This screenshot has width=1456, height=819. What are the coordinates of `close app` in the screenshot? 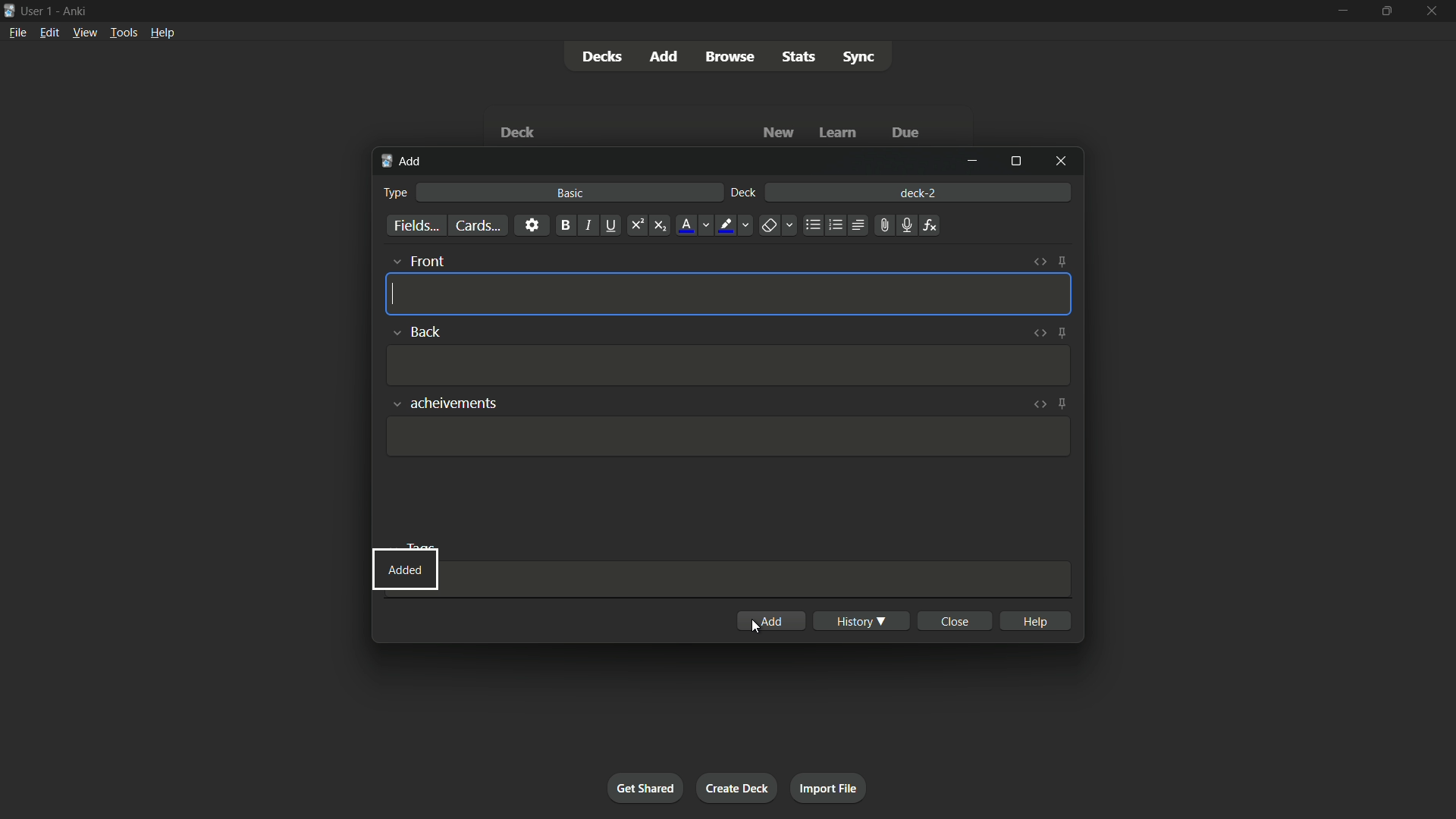 It's located at (1434, 11).